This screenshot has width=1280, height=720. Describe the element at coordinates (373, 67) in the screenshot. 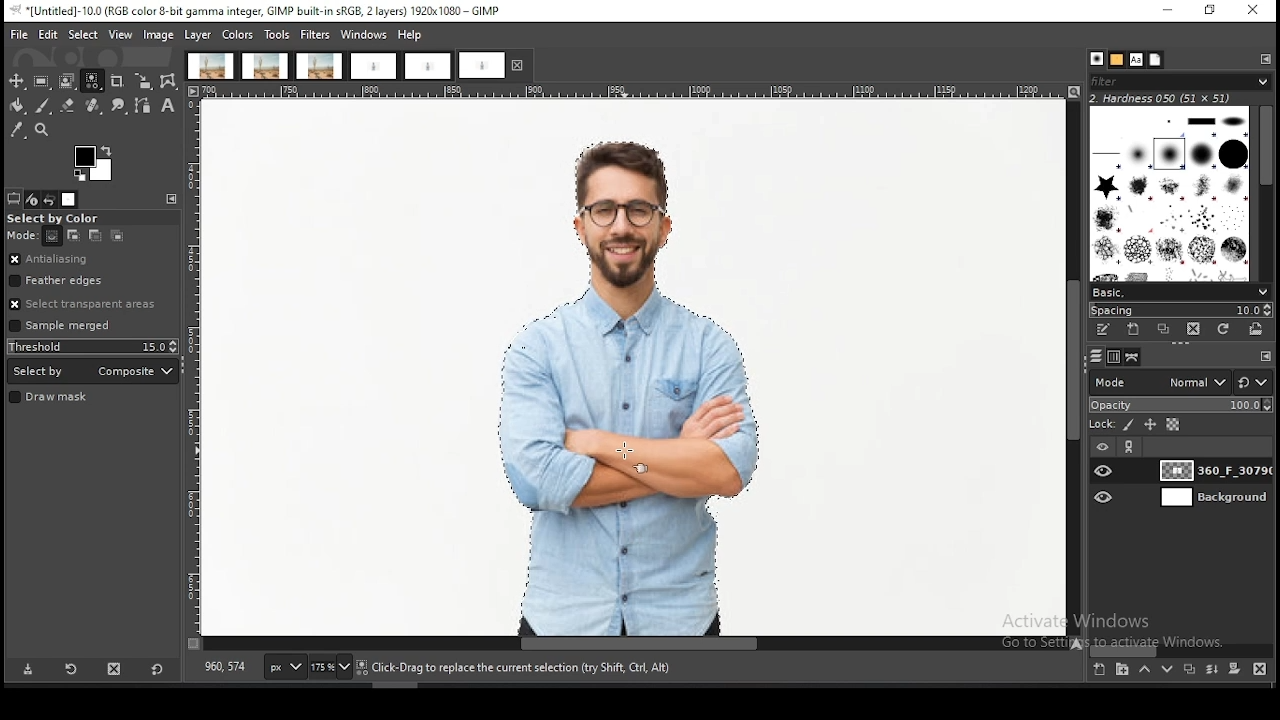

I see `project tab` at that location.